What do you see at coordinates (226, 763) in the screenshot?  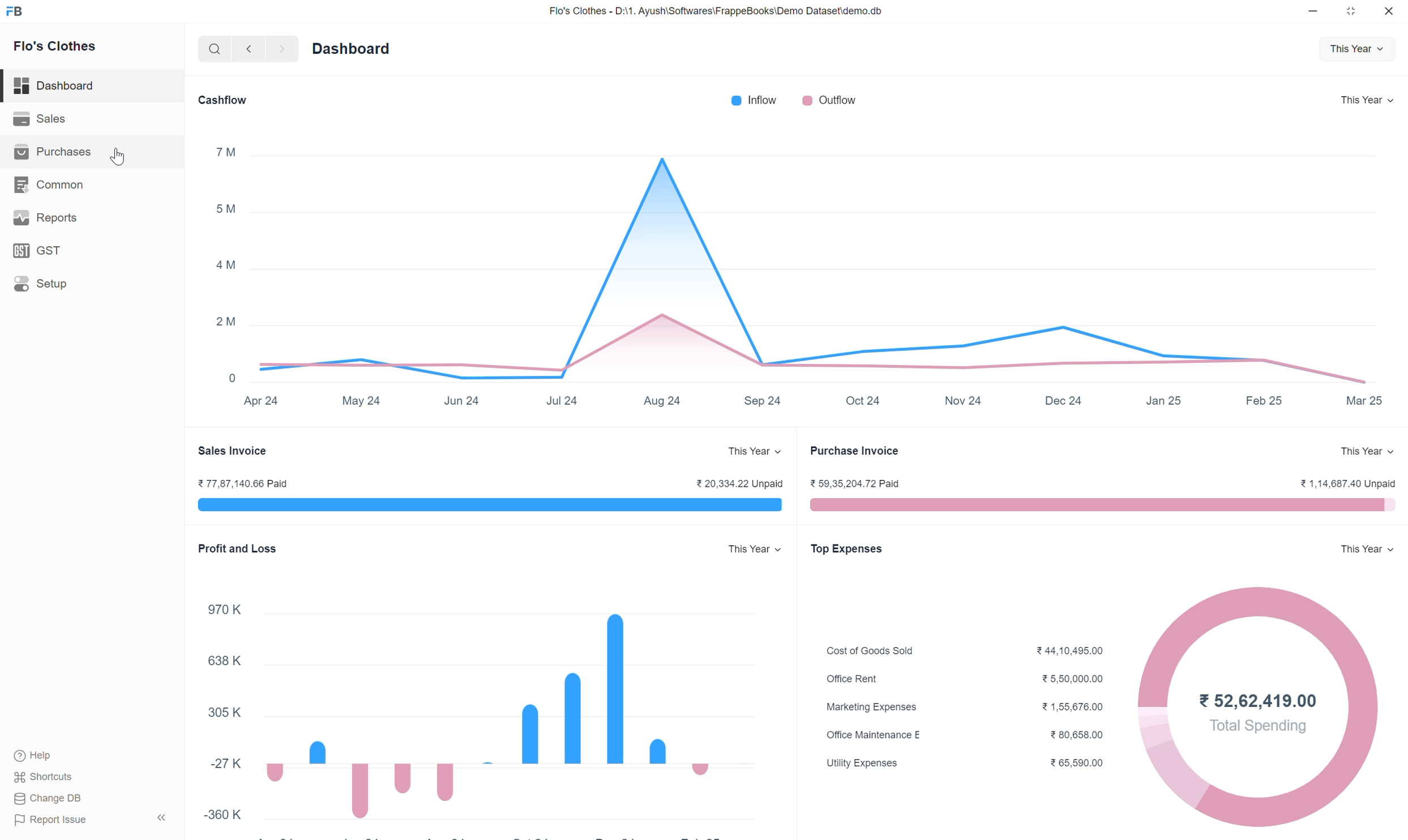 I see `-27 K` at bounding box center [226, 763].